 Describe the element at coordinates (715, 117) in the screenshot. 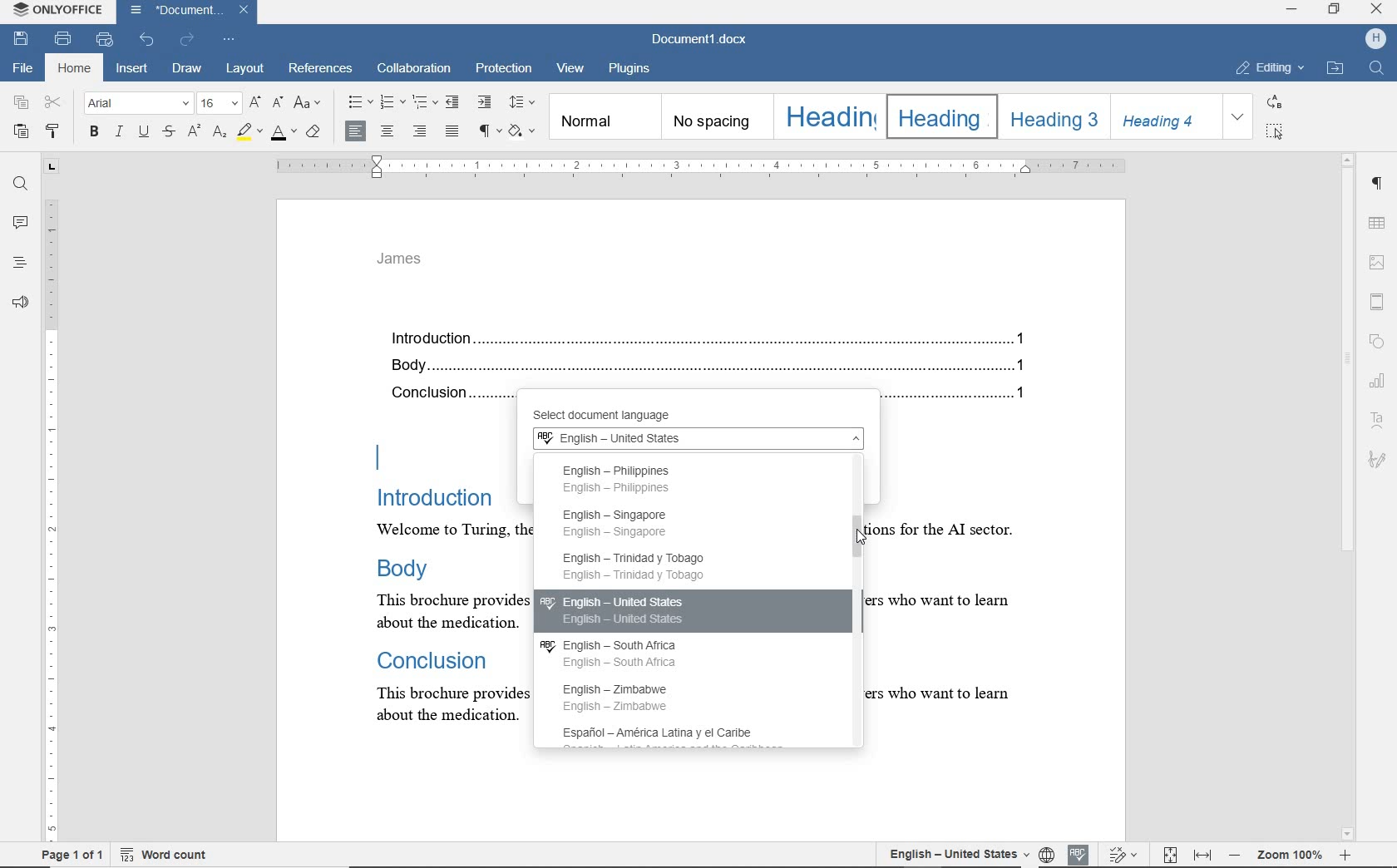

I see `no spacing` at that location.